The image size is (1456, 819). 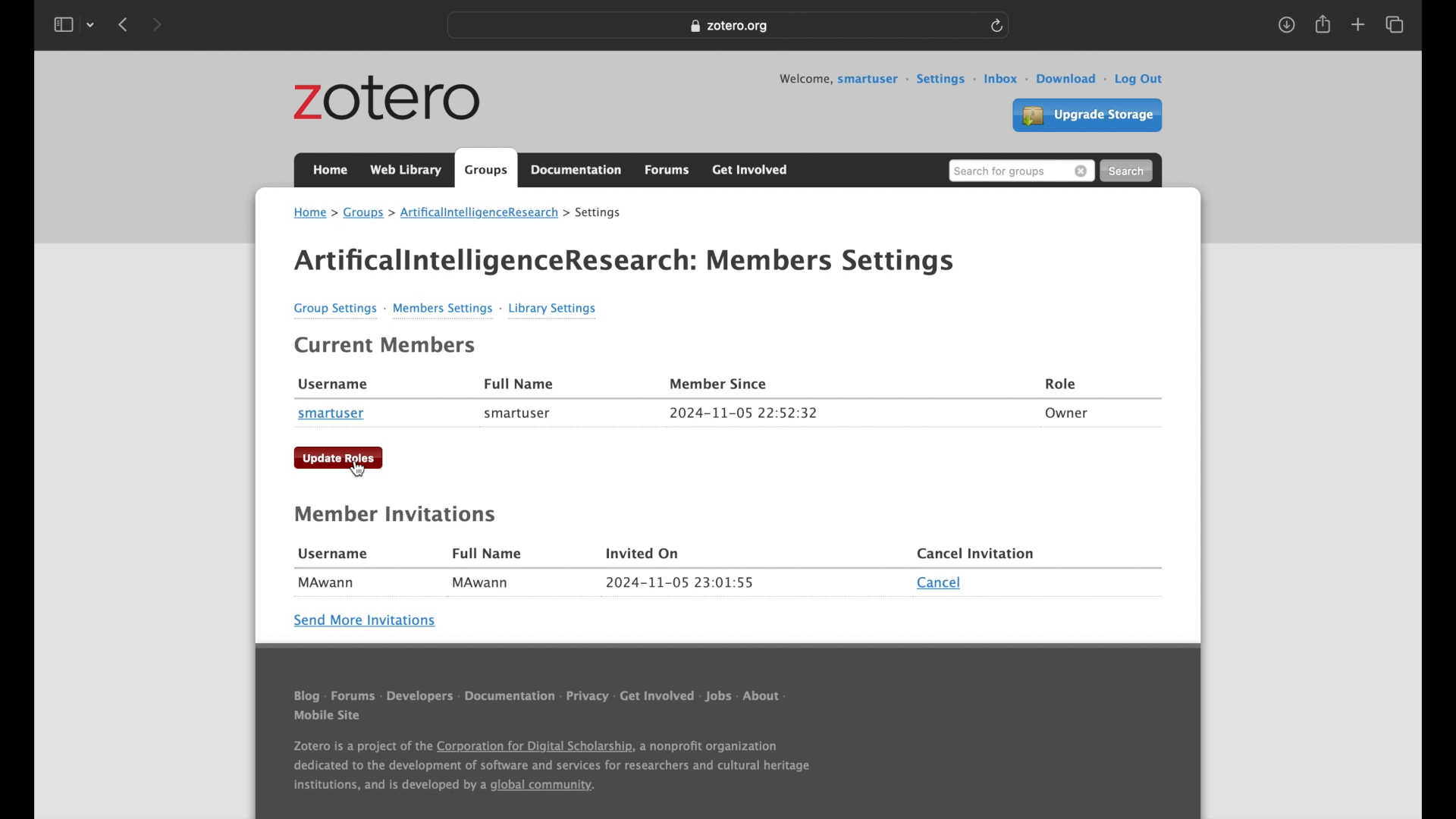 I want to click on full name, so click(x=487, y=554).